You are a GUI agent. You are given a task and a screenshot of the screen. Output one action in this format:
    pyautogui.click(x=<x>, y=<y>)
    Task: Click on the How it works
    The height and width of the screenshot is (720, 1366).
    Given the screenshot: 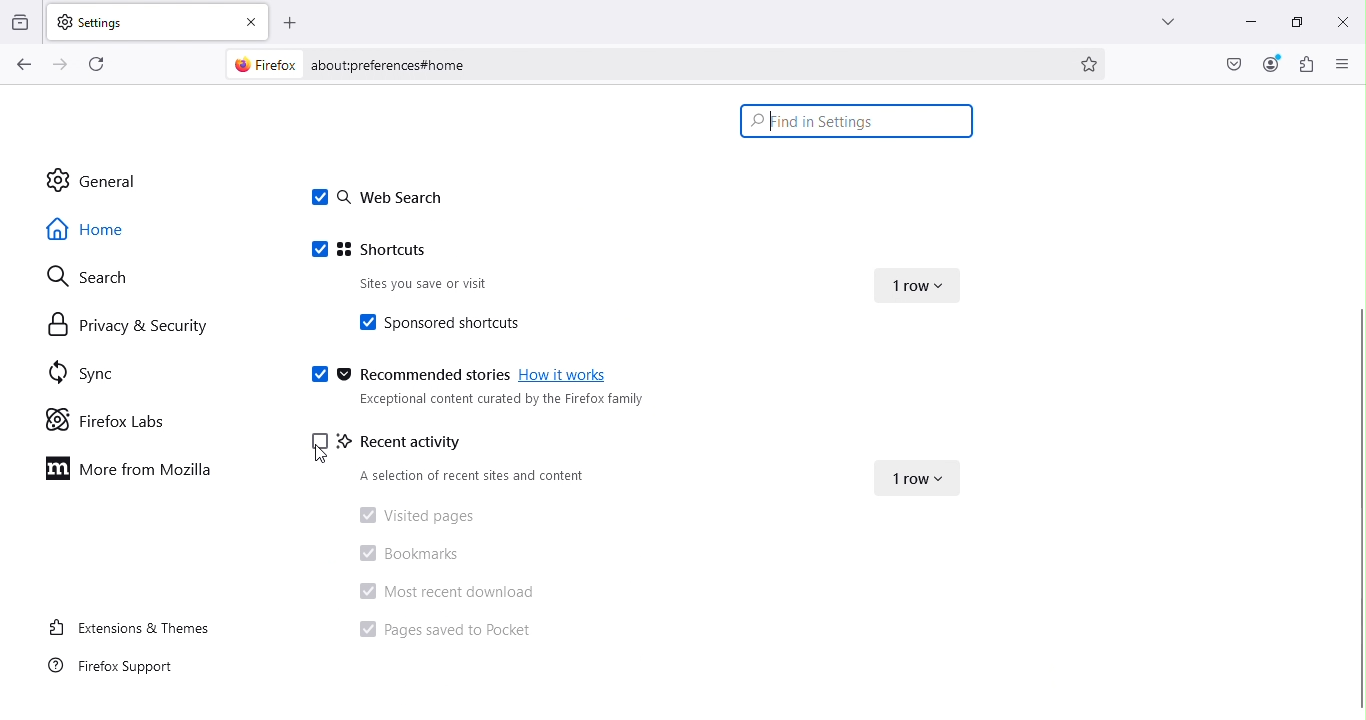 What is the action you would take?
    pyautogui.click(x=567, y=378)
    